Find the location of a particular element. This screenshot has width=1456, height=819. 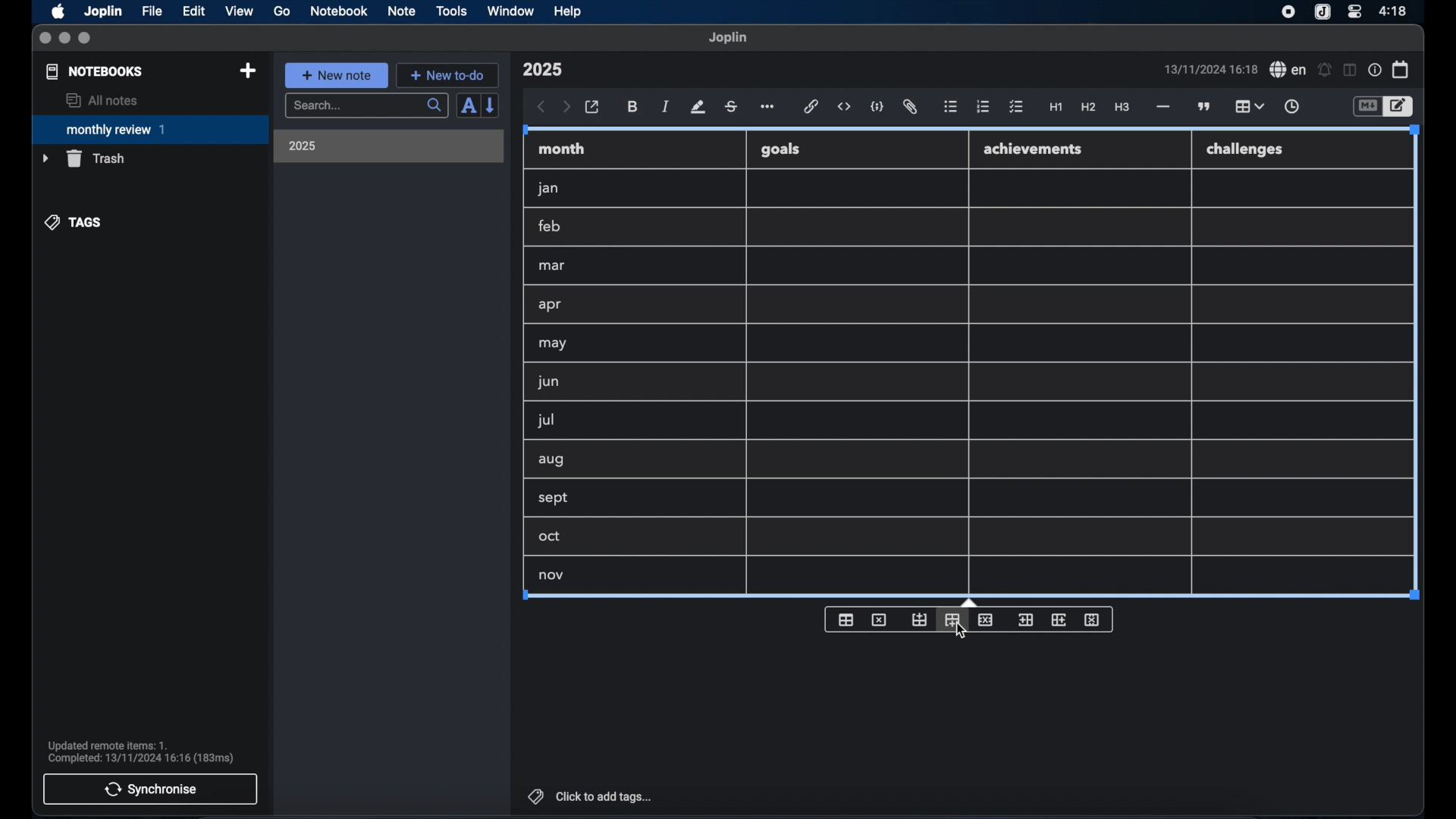

note is located at coordinates (402, 11).